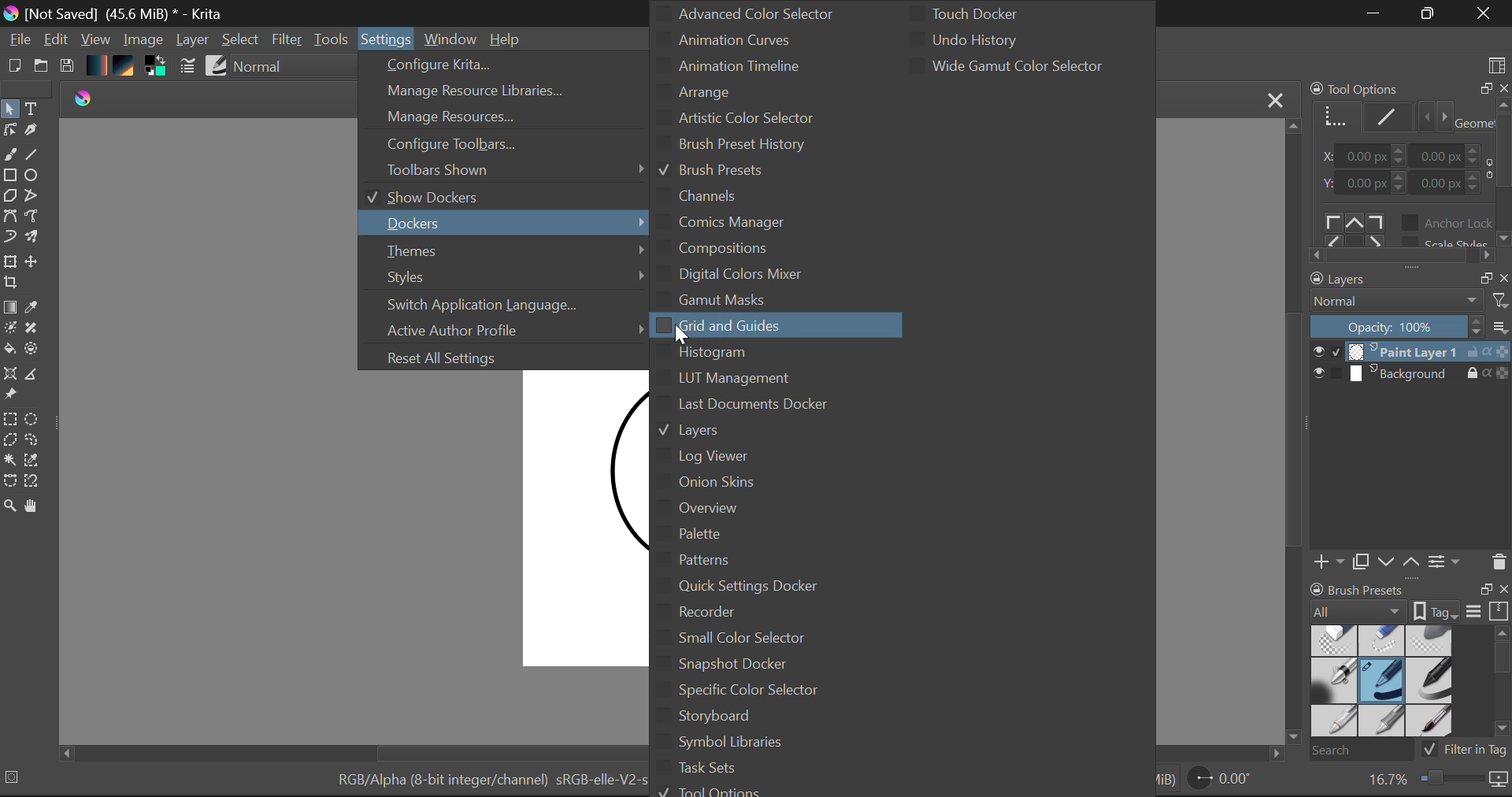 The image size is (1512, 797). Describe the element at coordinates (332, 41) in the screenshot. I see `Tools` at that location.